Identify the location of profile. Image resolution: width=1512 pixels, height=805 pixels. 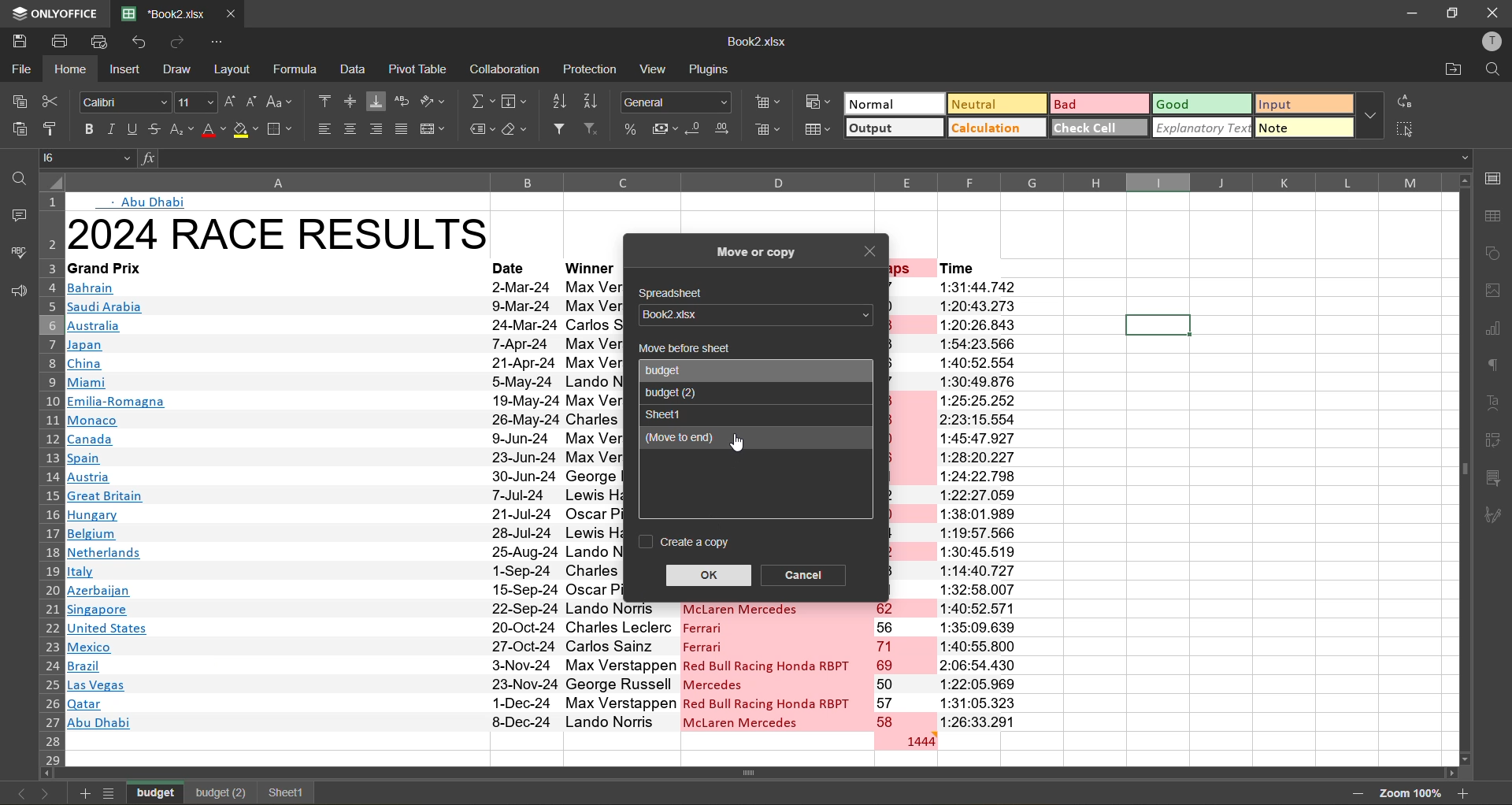
(1488, 42).